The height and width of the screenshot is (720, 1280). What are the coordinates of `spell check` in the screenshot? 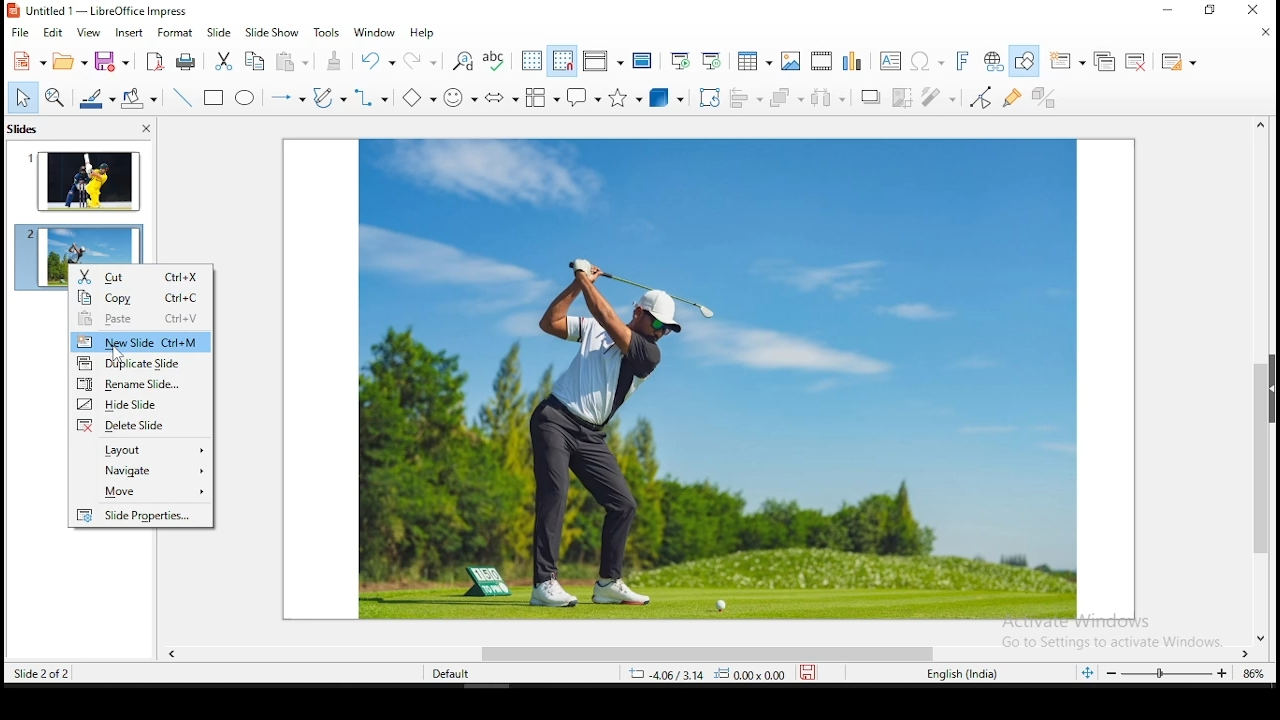 It's located at (497, 62).